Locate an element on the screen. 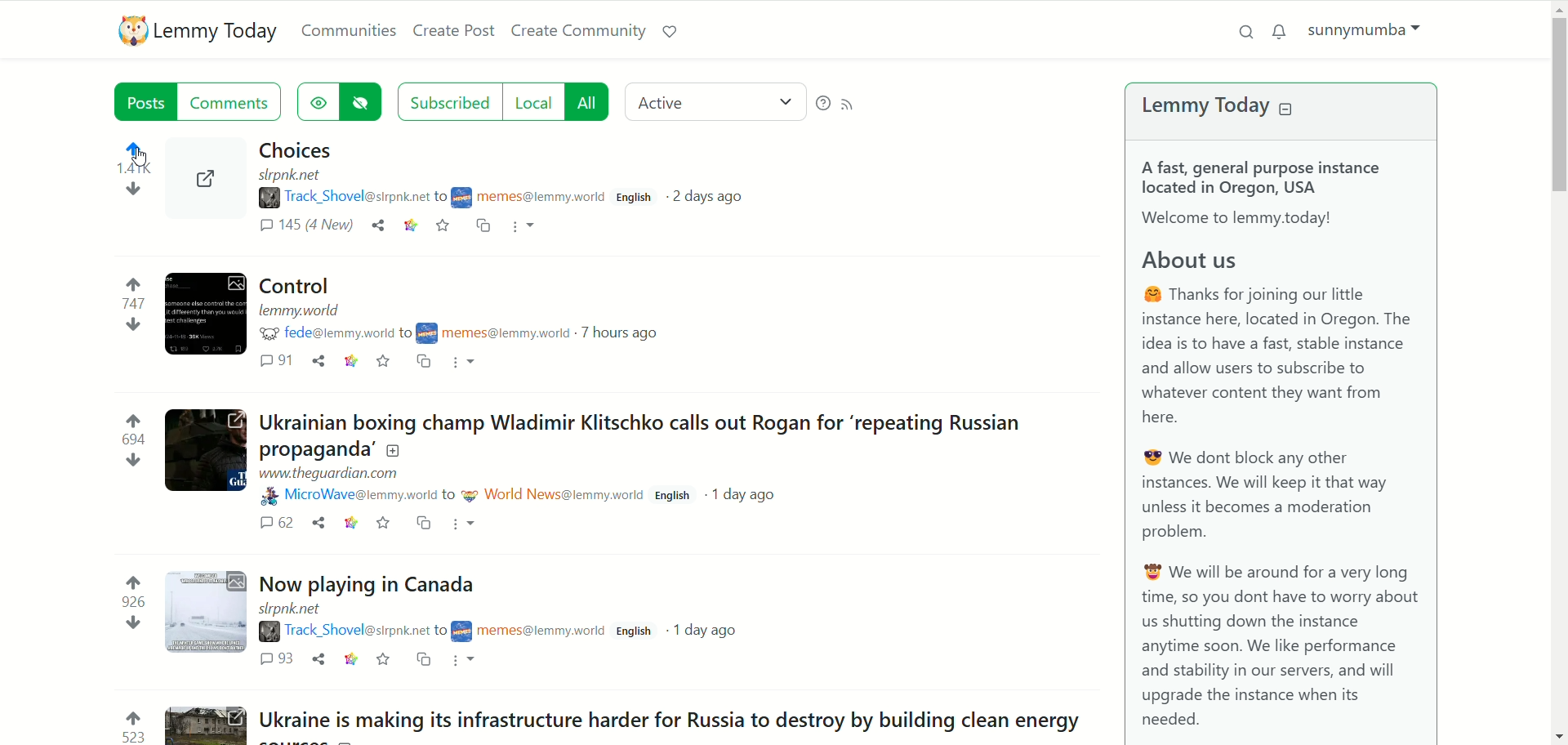 Image resolution: width=1568 pixels, height=745 pixels. save is located at coordinates (382, 523).